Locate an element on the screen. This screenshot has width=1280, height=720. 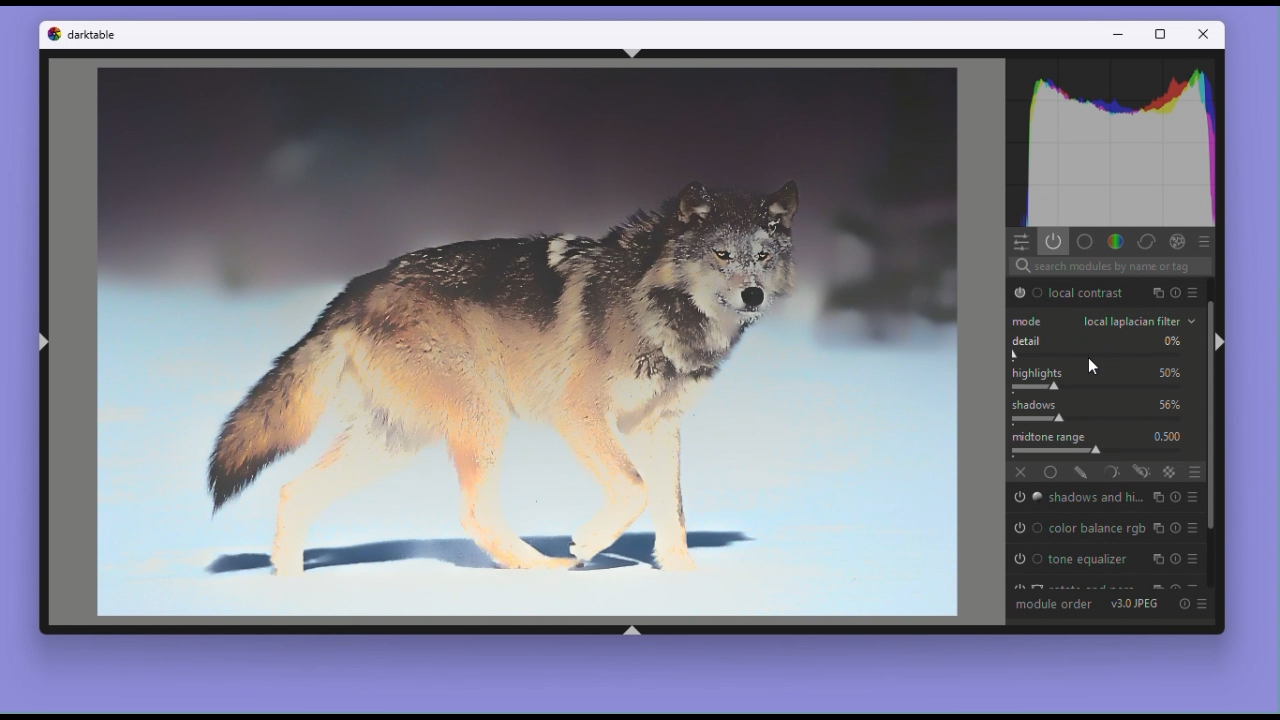
base is located at coordinates (1085, 241).